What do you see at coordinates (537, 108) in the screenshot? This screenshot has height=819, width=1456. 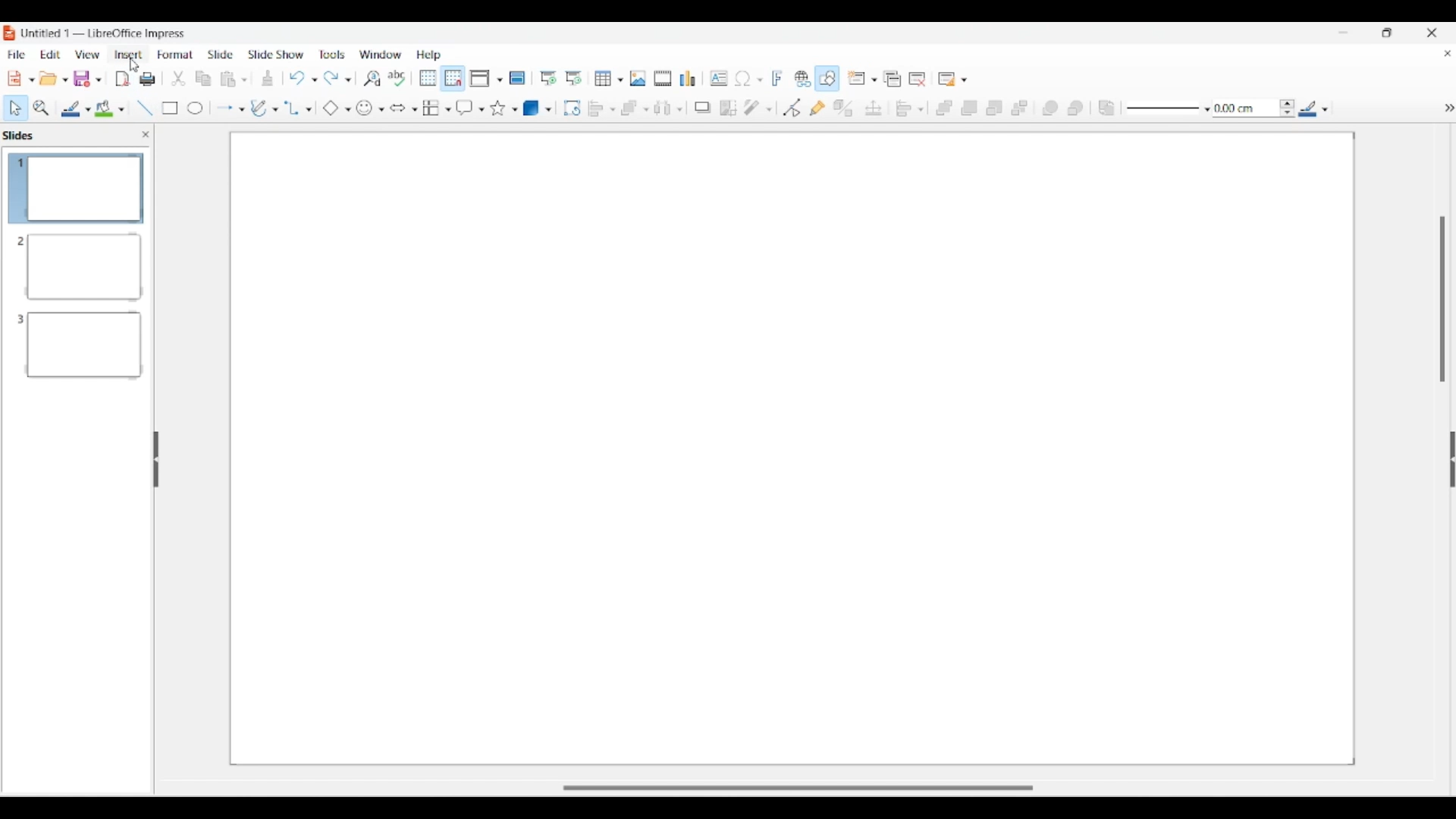 I see `3D object options` at bounding box center [537, 108].